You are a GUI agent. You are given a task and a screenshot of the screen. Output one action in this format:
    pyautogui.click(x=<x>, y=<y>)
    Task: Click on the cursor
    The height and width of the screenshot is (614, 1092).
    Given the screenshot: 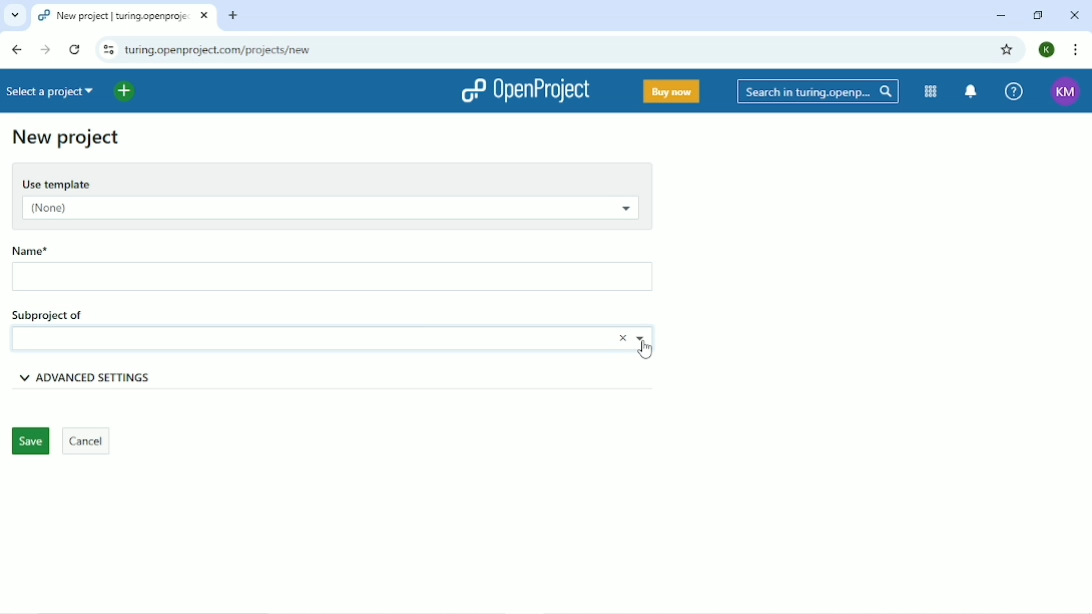 What is the action you would take?
    pyautogui.click(x=648, y=352)
    